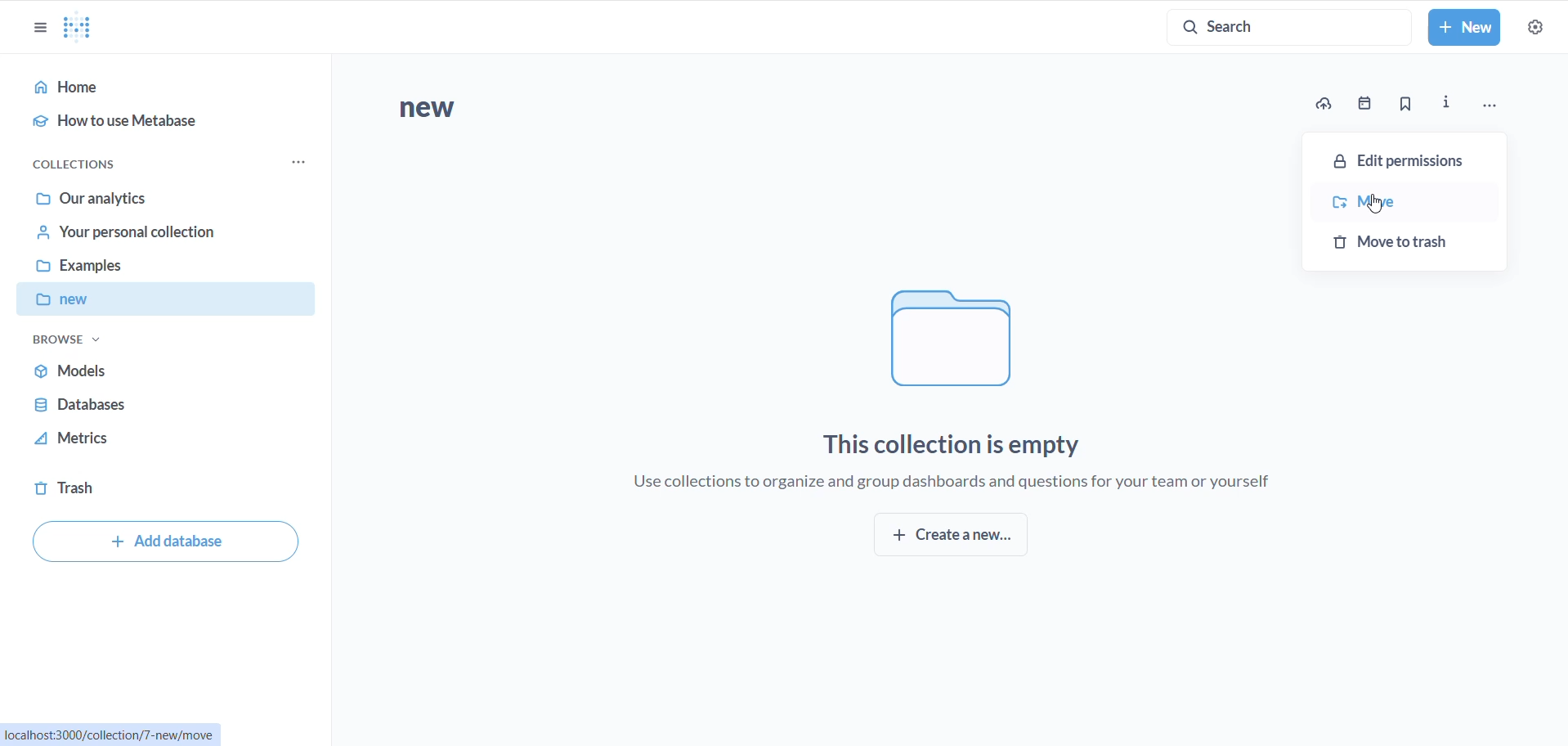  What do you see at coordinates (34, 28) in the screenshot?
I see `close sidebar` at bounding box center [34, 28].